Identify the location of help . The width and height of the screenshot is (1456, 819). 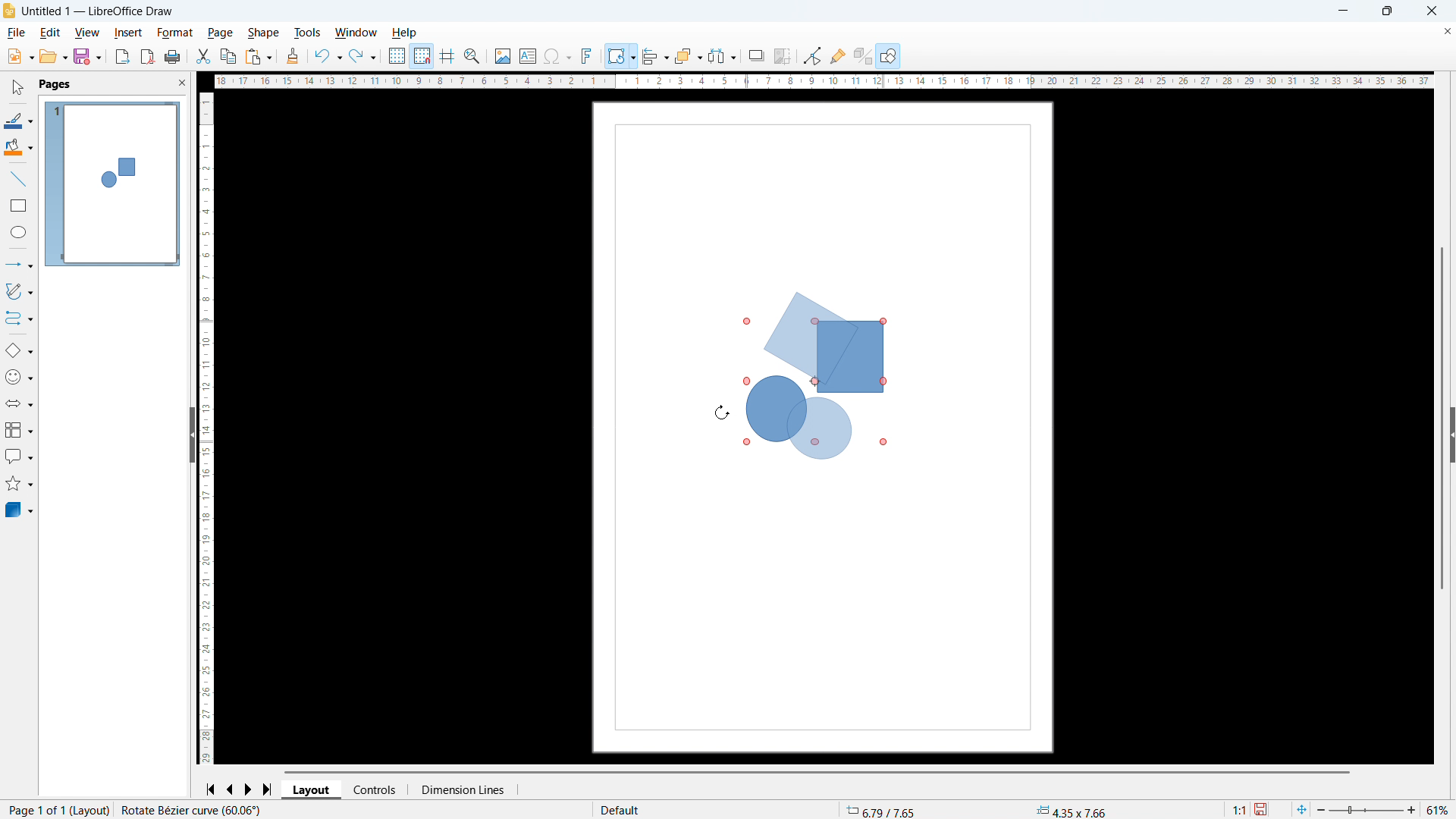
(405, 33).